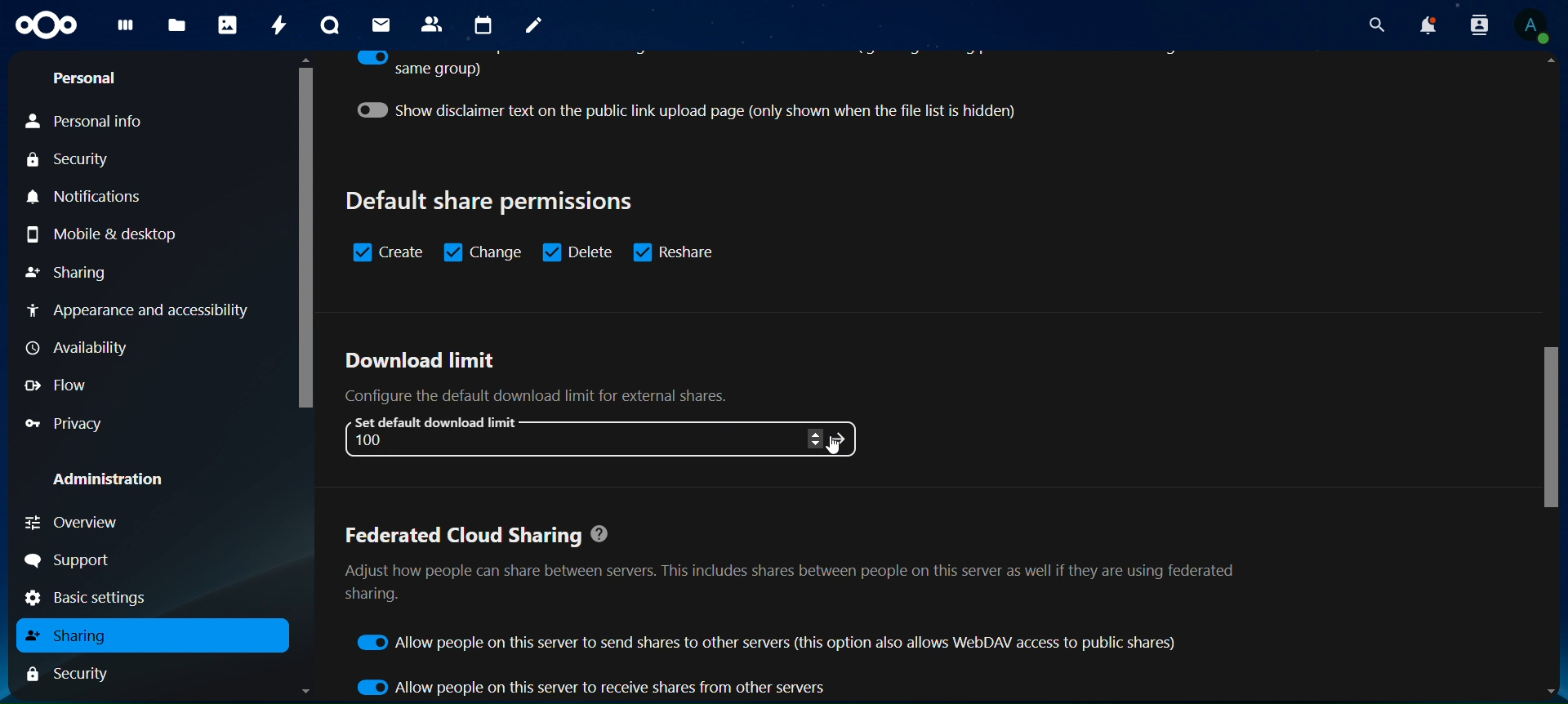 The image size is (1568, 704). What do you see at coordinates (792, 570) in the screenshot?
I see `federated cloud sharing` at bounding box center [792, 570].